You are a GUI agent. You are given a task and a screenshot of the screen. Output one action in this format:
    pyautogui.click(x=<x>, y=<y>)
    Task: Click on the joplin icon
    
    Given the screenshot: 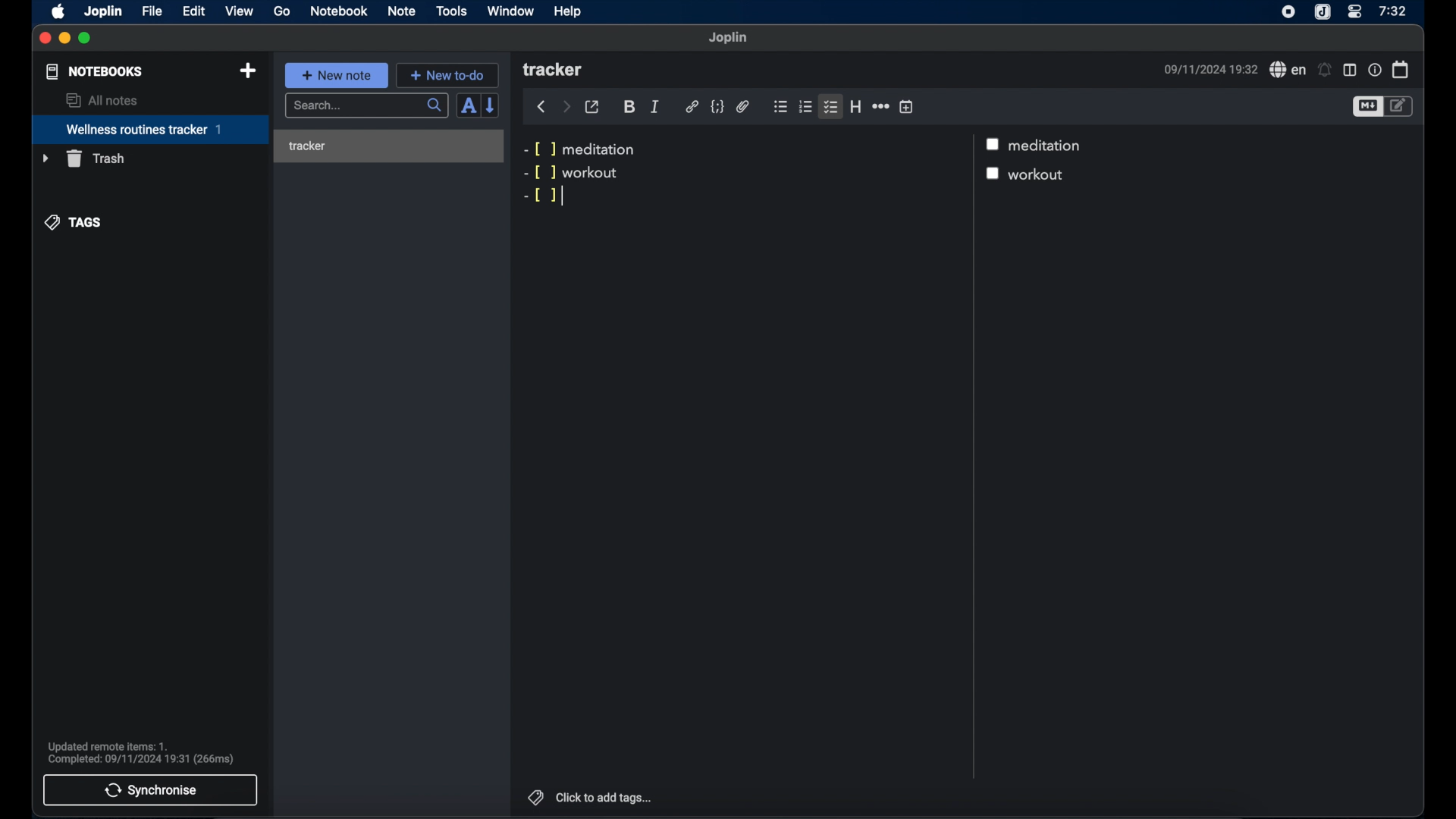 What is the action you would take?
    pyautogui.click(x=1323, y=12)
    